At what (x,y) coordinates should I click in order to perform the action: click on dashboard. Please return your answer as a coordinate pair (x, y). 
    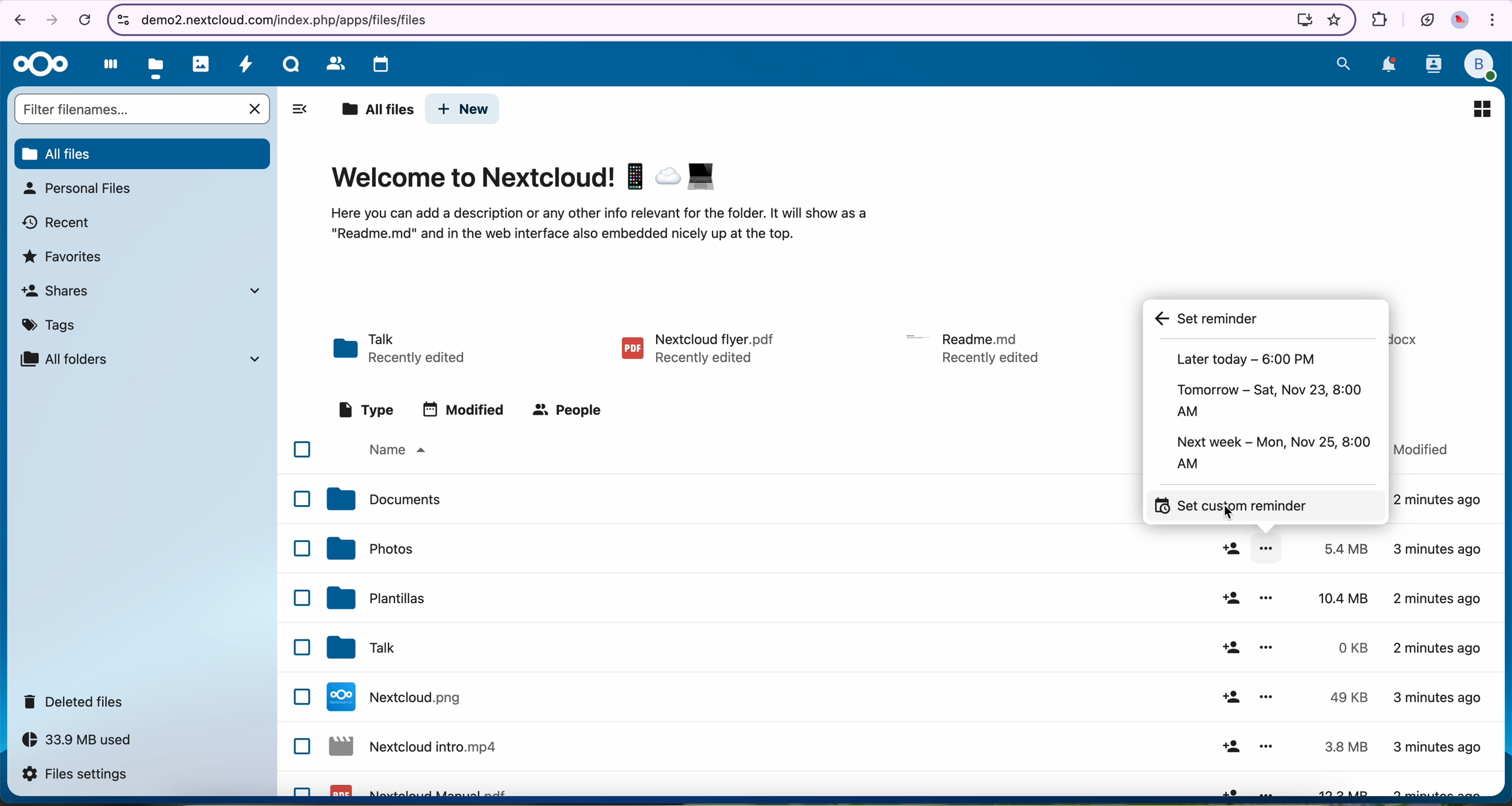
    Looking at the image, I should click on (107, 63).